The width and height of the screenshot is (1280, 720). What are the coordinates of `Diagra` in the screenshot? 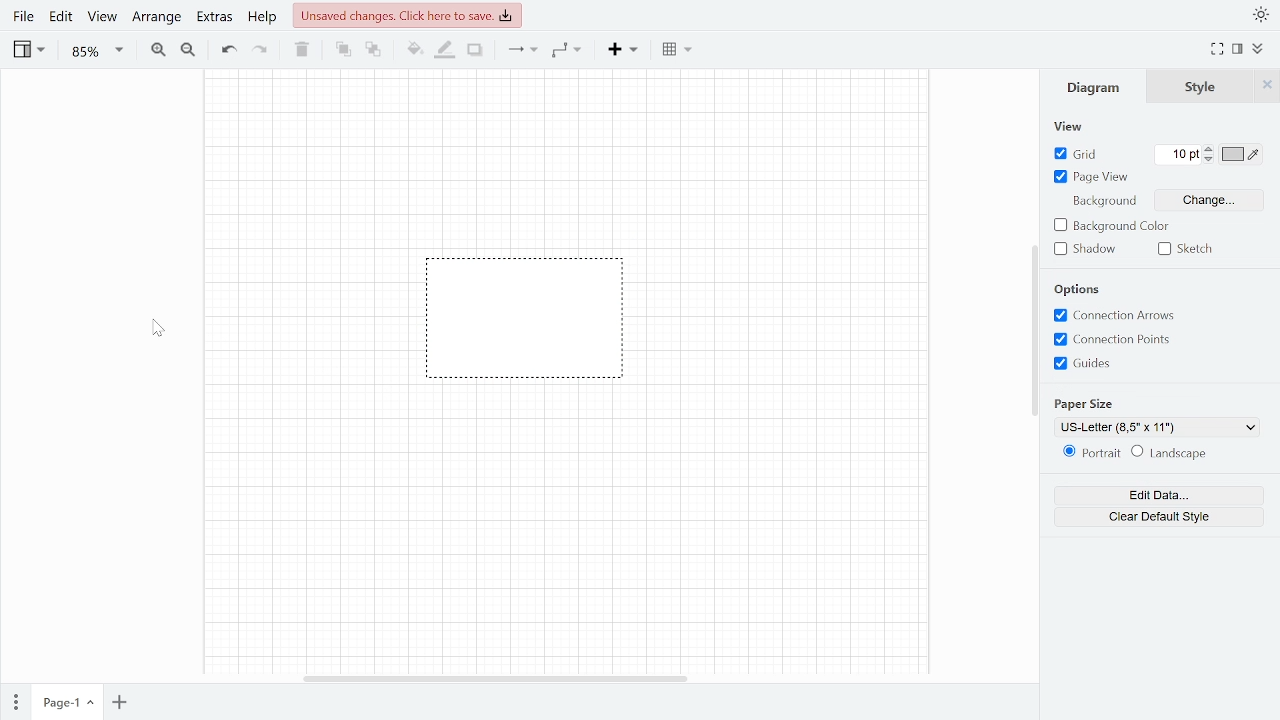 It's located at (1094, 88).